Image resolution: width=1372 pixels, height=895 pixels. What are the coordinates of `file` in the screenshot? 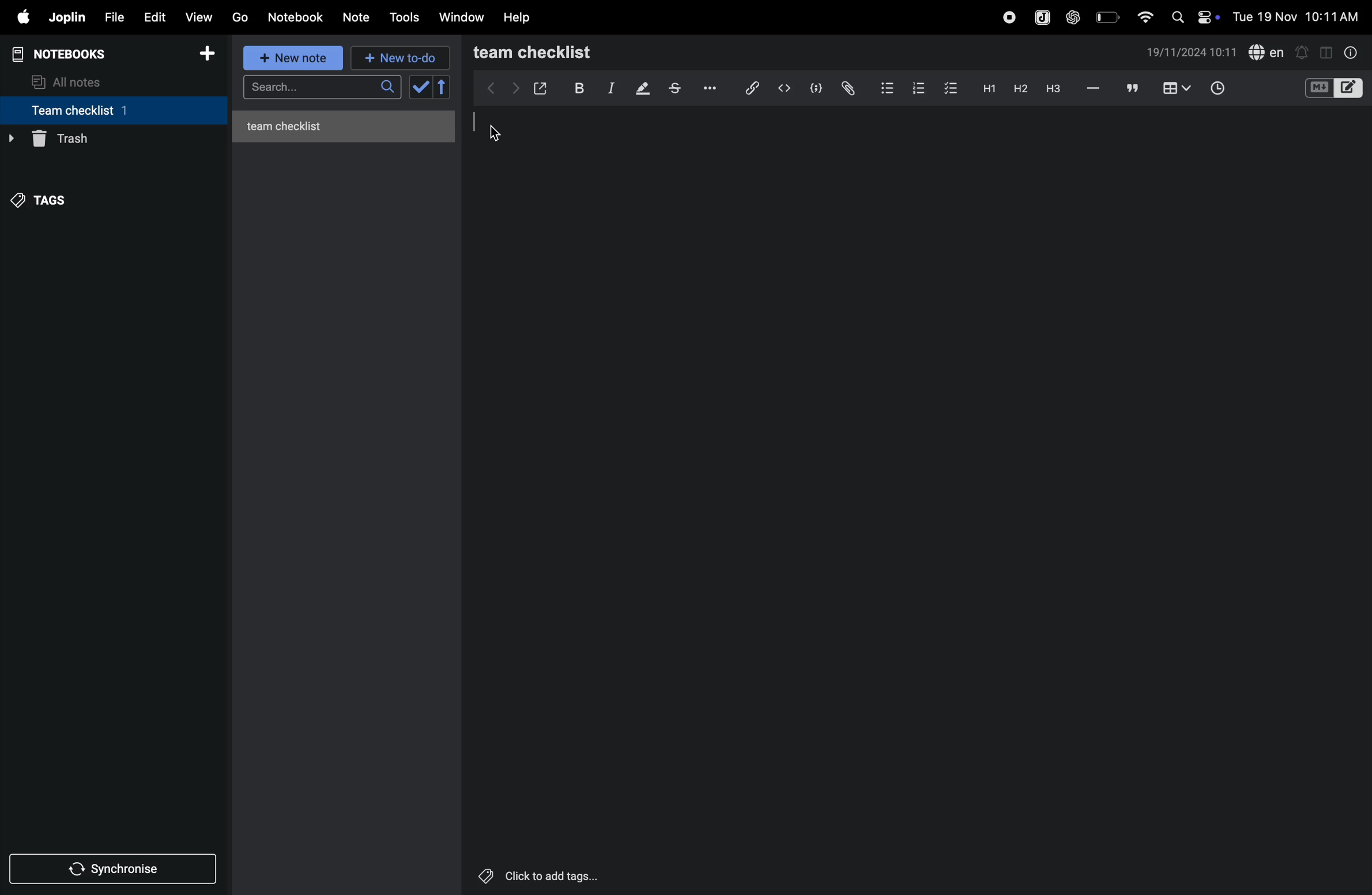 It's located at (114, 16).